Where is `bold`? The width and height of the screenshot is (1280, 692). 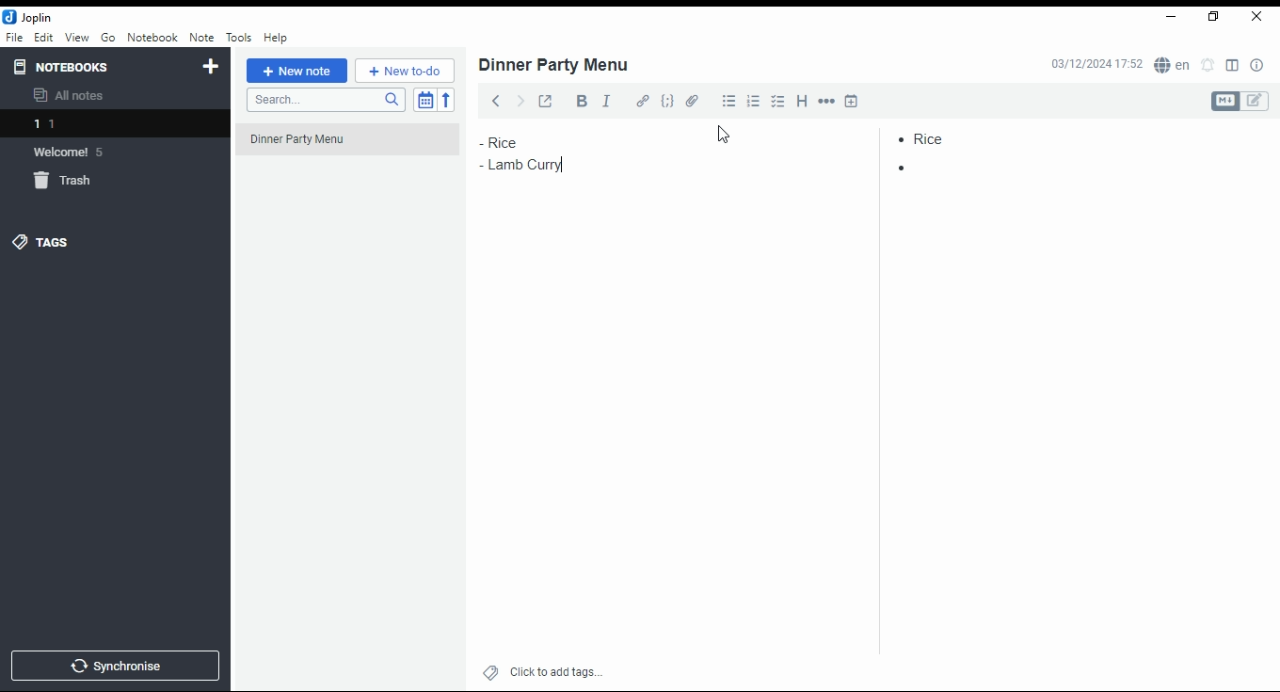
bold is located at coordinates (578, 101).